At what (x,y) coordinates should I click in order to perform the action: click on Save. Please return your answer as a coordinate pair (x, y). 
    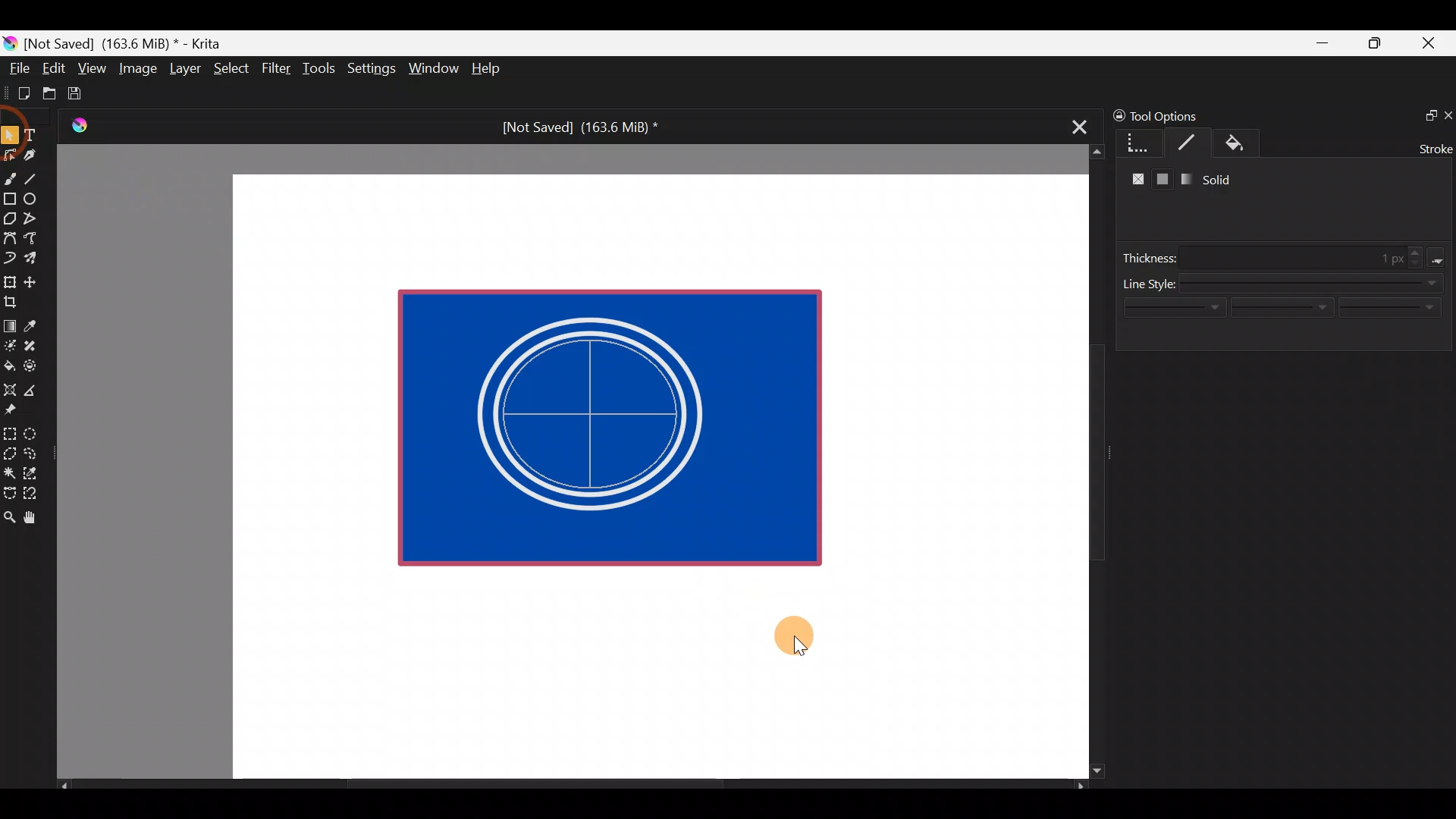
    Looking at the image, I should click on (85, 93).